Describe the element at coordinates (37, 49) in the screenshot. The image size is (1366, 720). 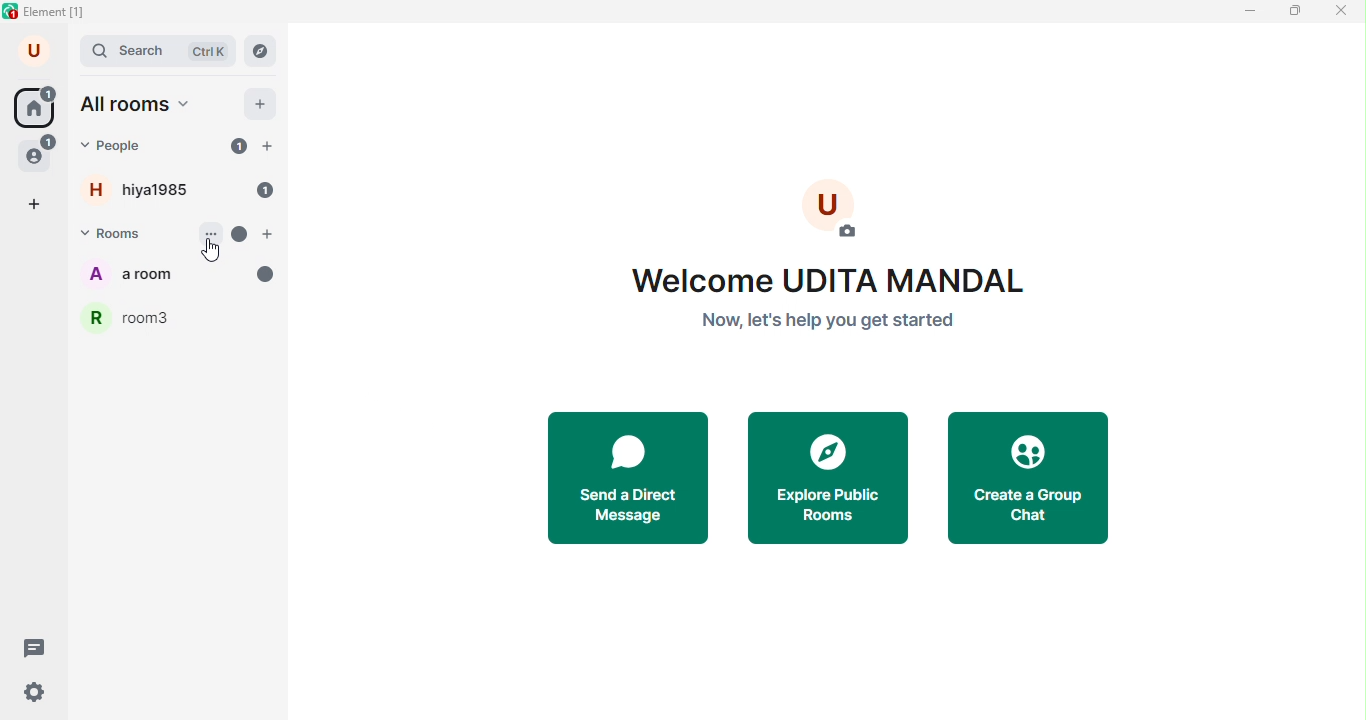
I see `account` at that location.